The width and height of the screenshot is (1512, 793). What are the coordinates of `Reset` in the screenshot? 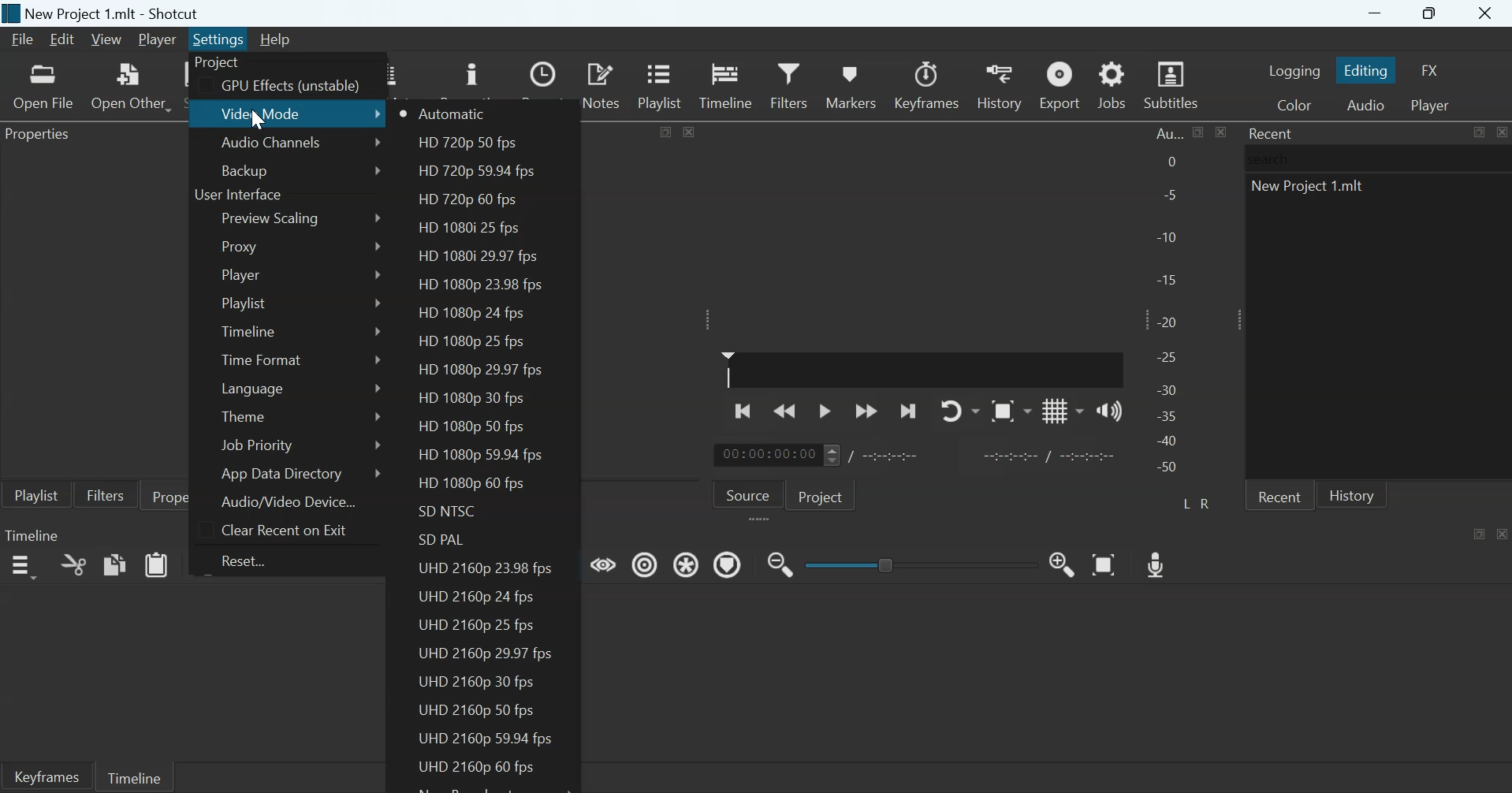 It's located at (250, 560).